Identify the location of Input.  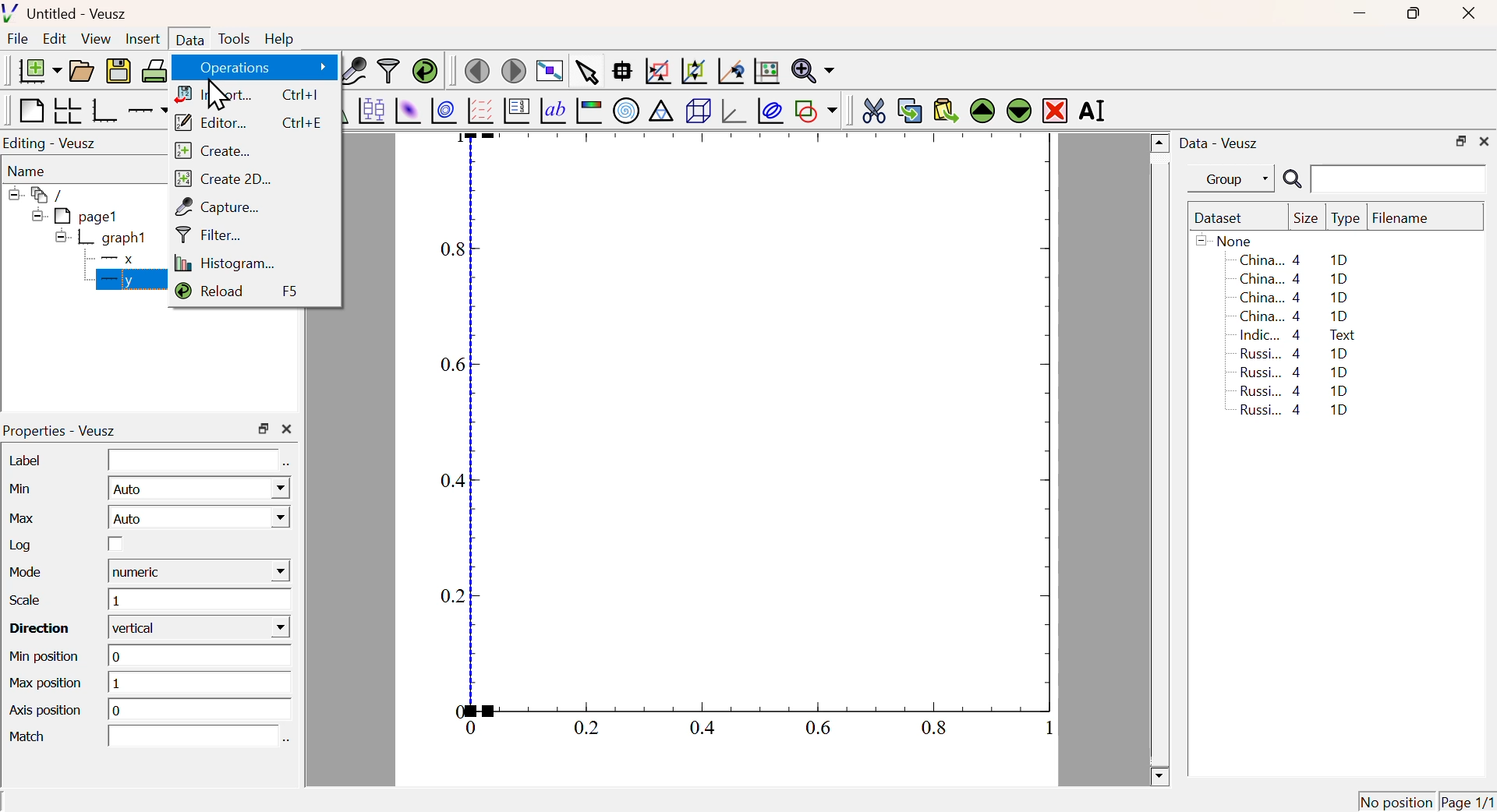
(193, 461).